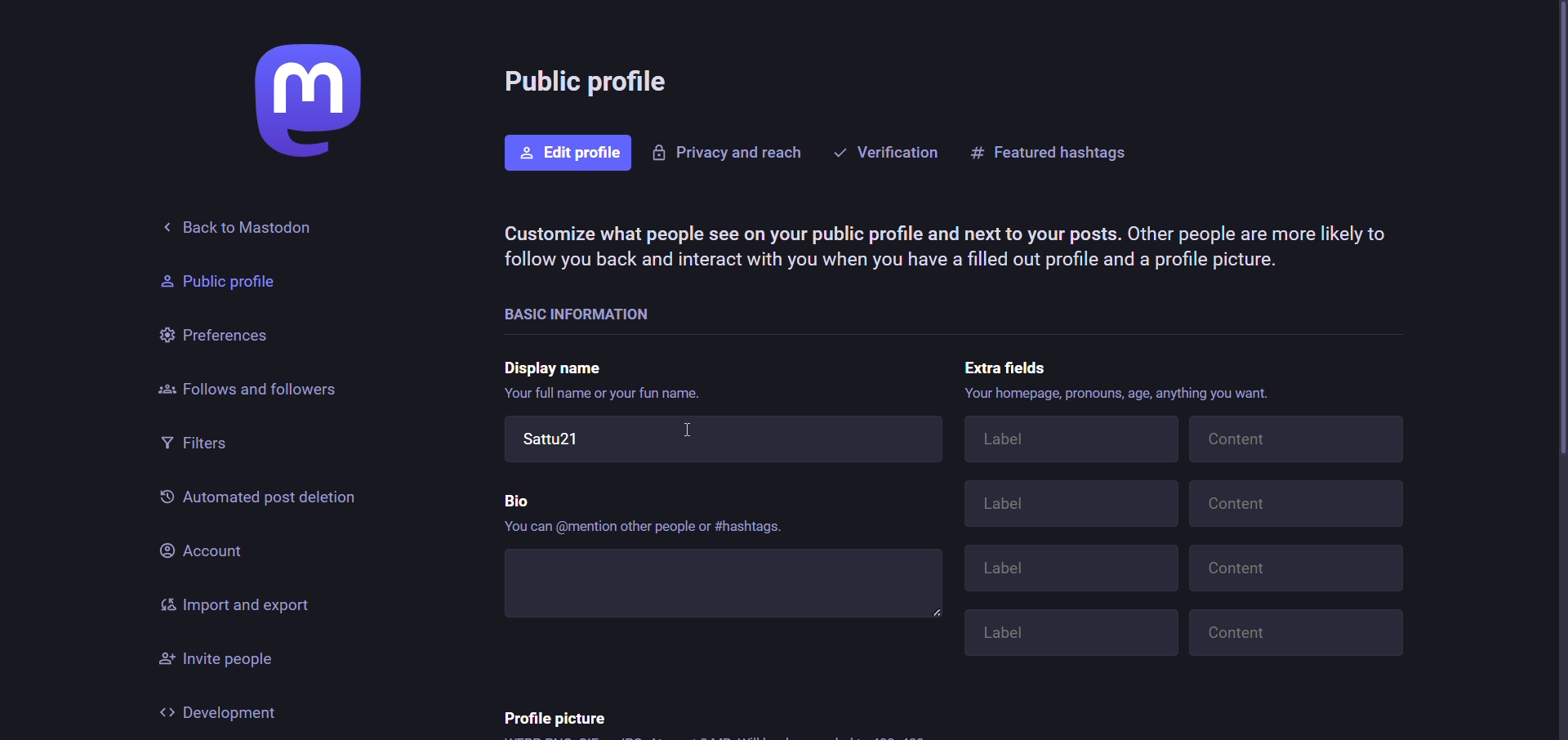  I want to click on Public profile, so click(209, 282).